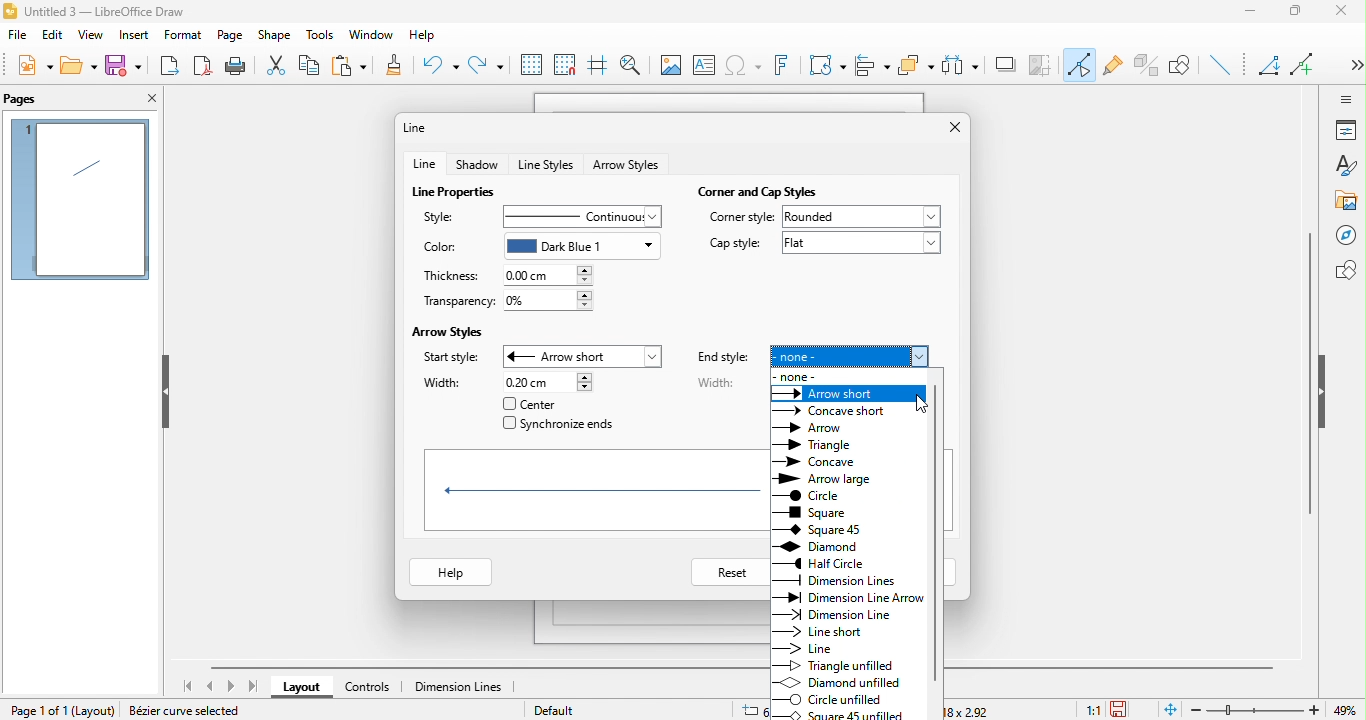  What do you see at coordinates (1346, 98) in the screenshot?
I see `sidebar setting` at bounding box center [1346, 98].